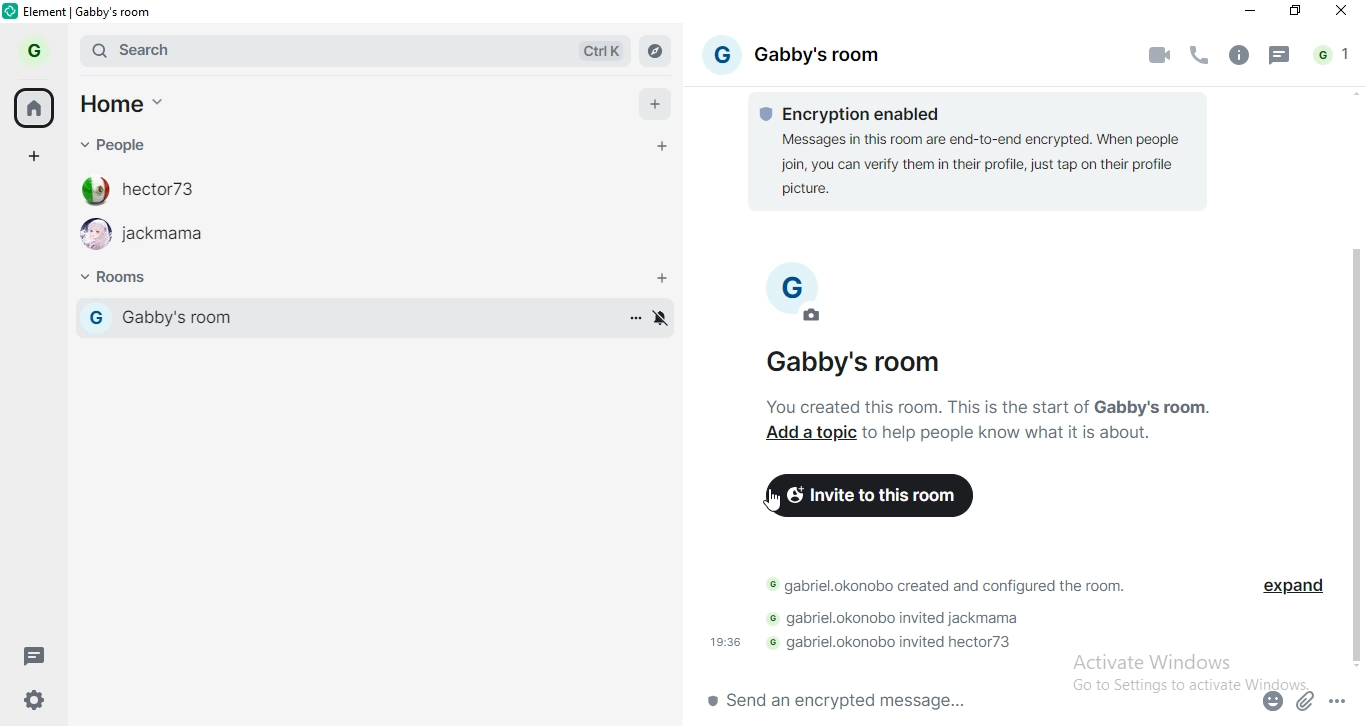  I want to click on emoji, so click(1273, 702).